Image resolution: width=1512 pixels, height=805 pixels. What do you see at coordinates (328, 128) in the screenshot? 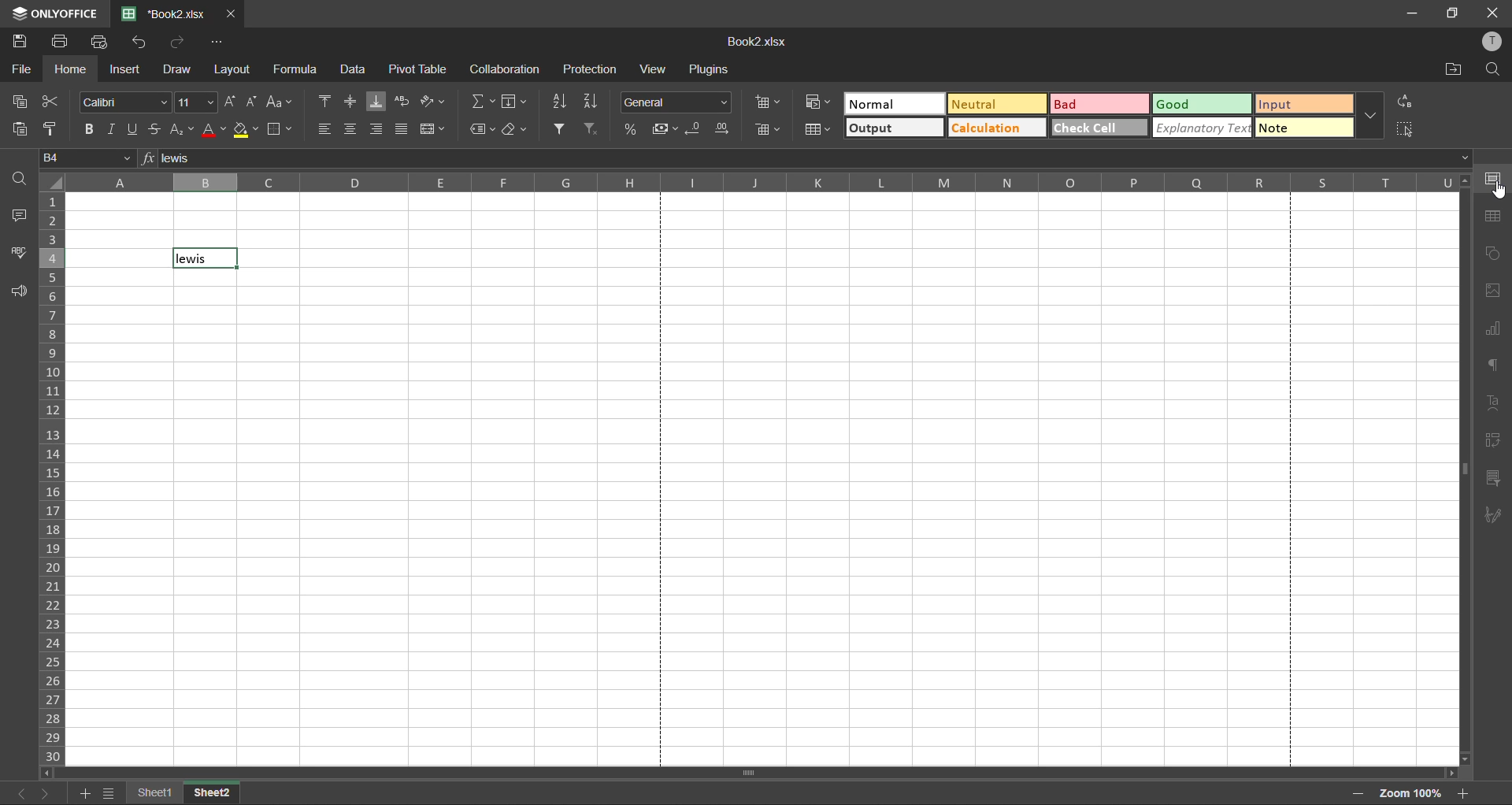
I see `align left` at bounding box center [328, 128].